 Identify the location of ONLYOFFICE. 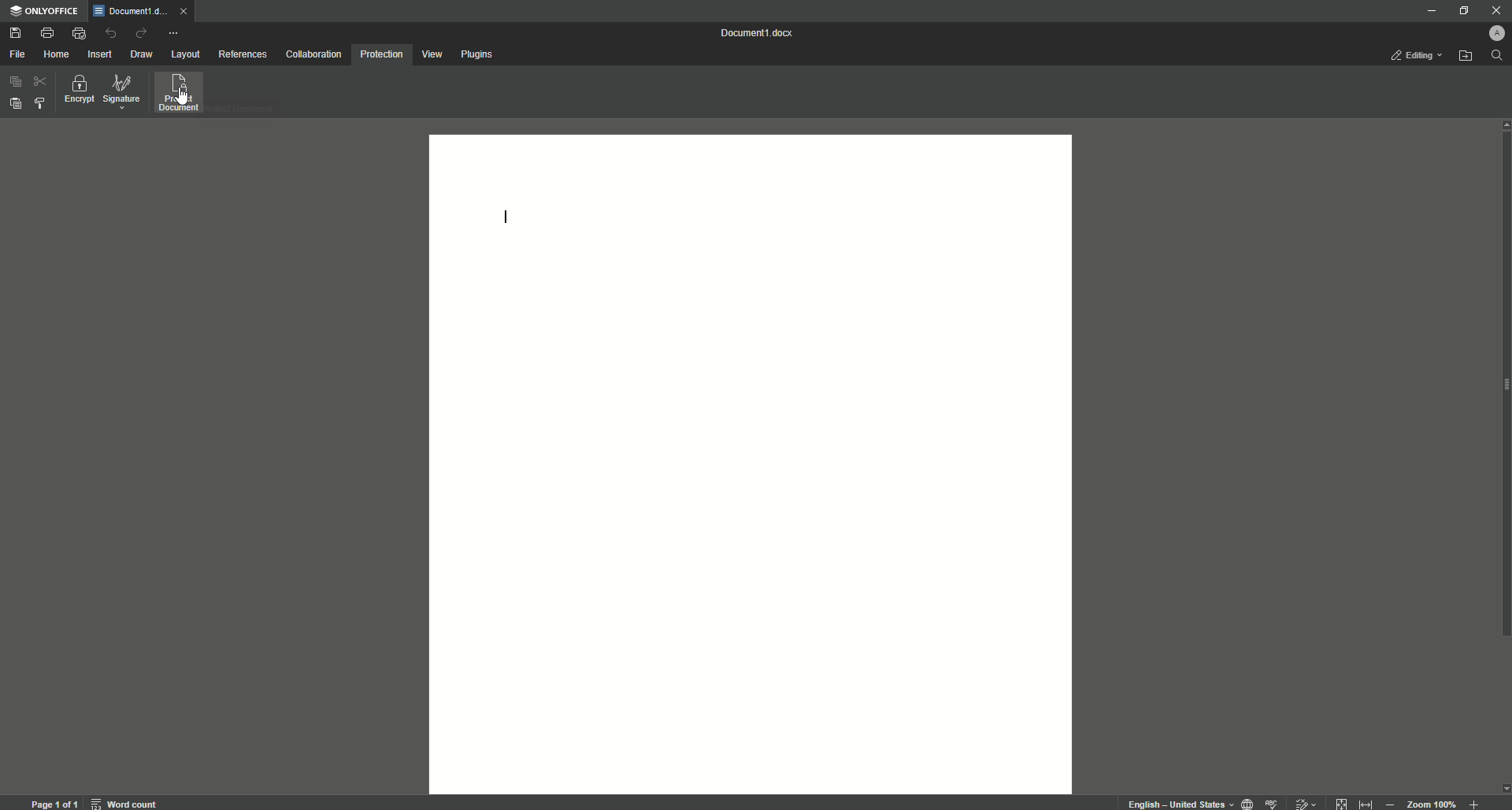
(46, 13).